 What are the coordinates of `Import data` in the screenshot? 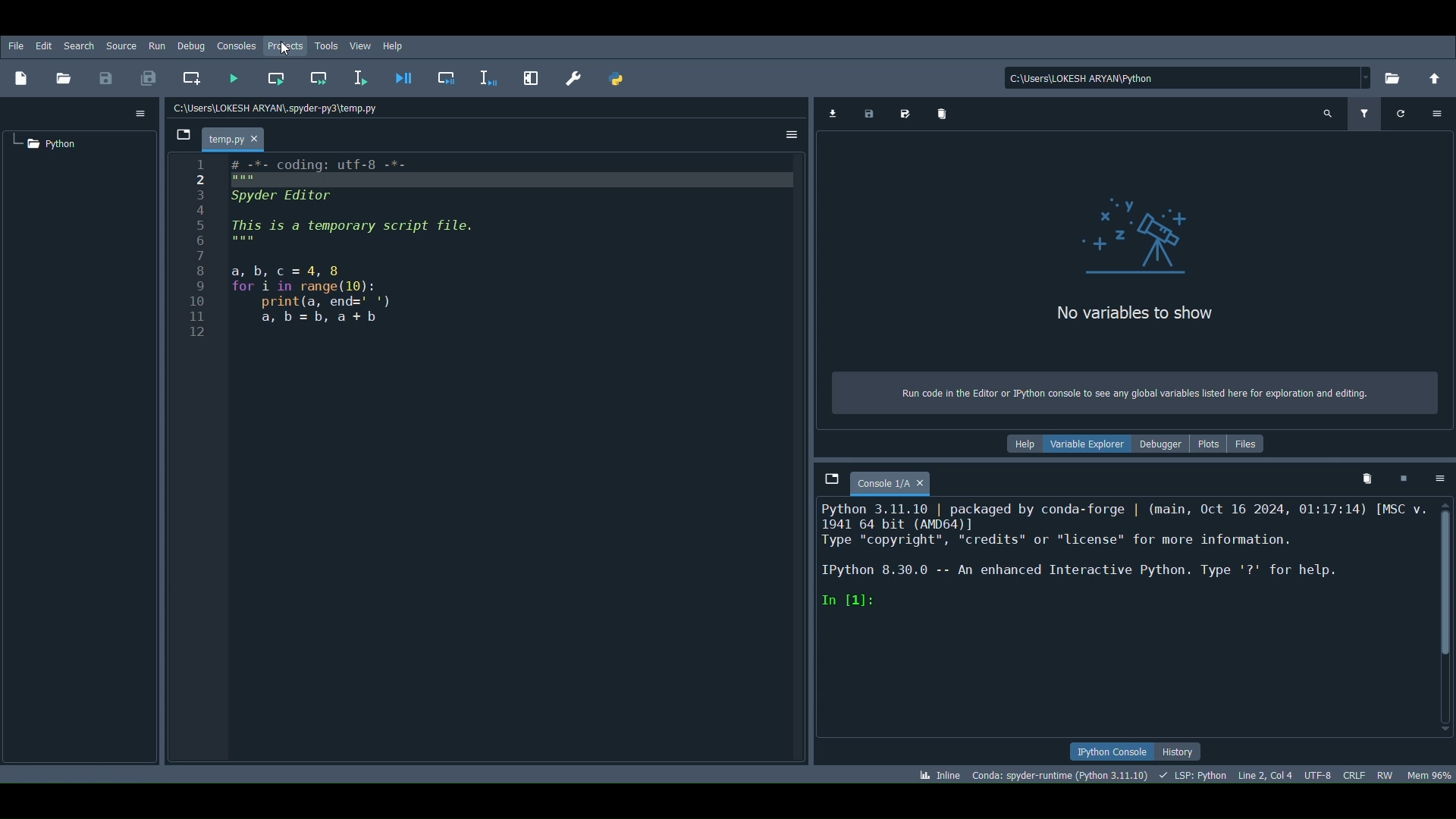 It's located at (833, 114).